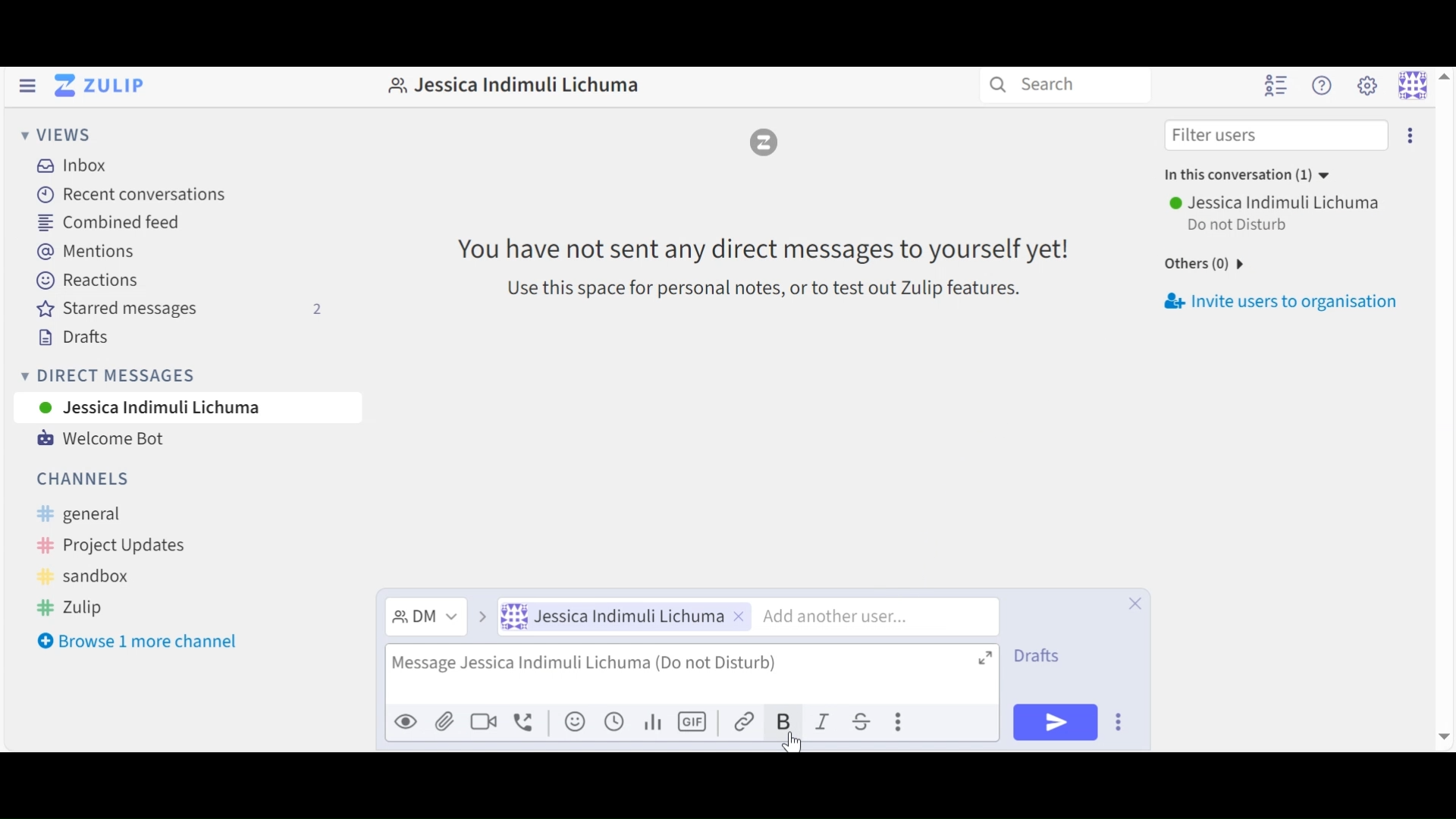 This screenshot has height=819, width=1456. Describe the element at coordinates (72, 338) in the screenshot. I see `Drafts` at that location.